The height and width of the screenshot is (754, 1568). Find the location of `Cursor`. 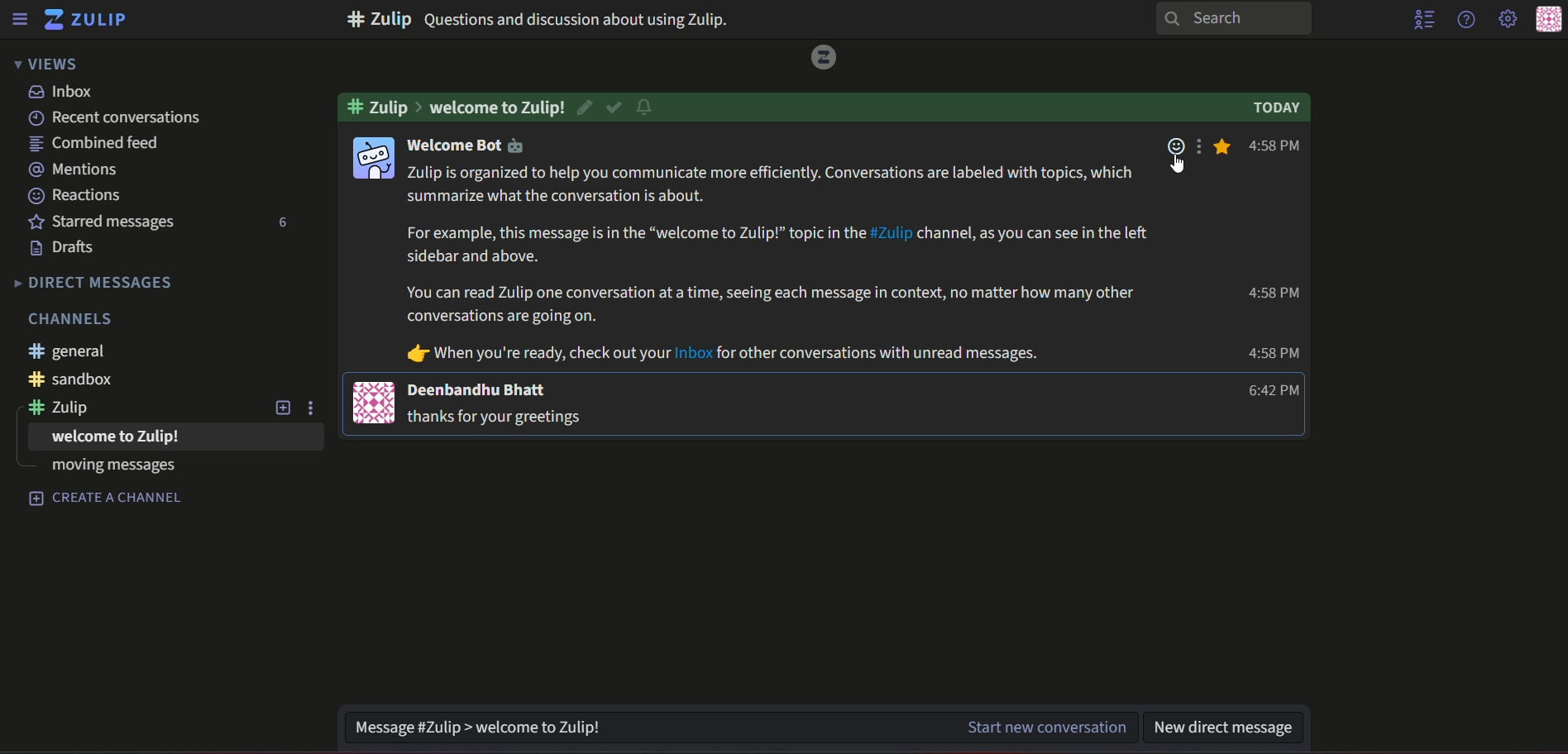

Cursor is located at coordinates (1174, 166).